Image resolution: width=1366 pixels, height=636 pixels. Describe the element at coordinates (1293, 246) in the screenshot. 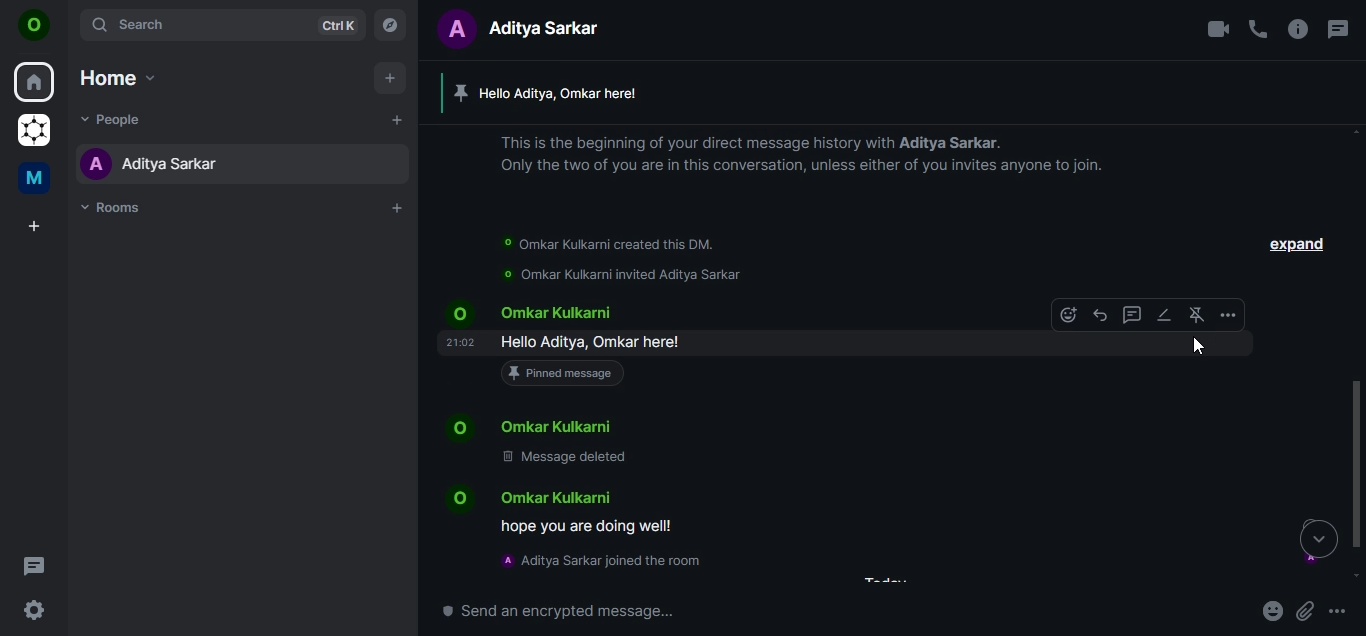

I see `expand` at that location.